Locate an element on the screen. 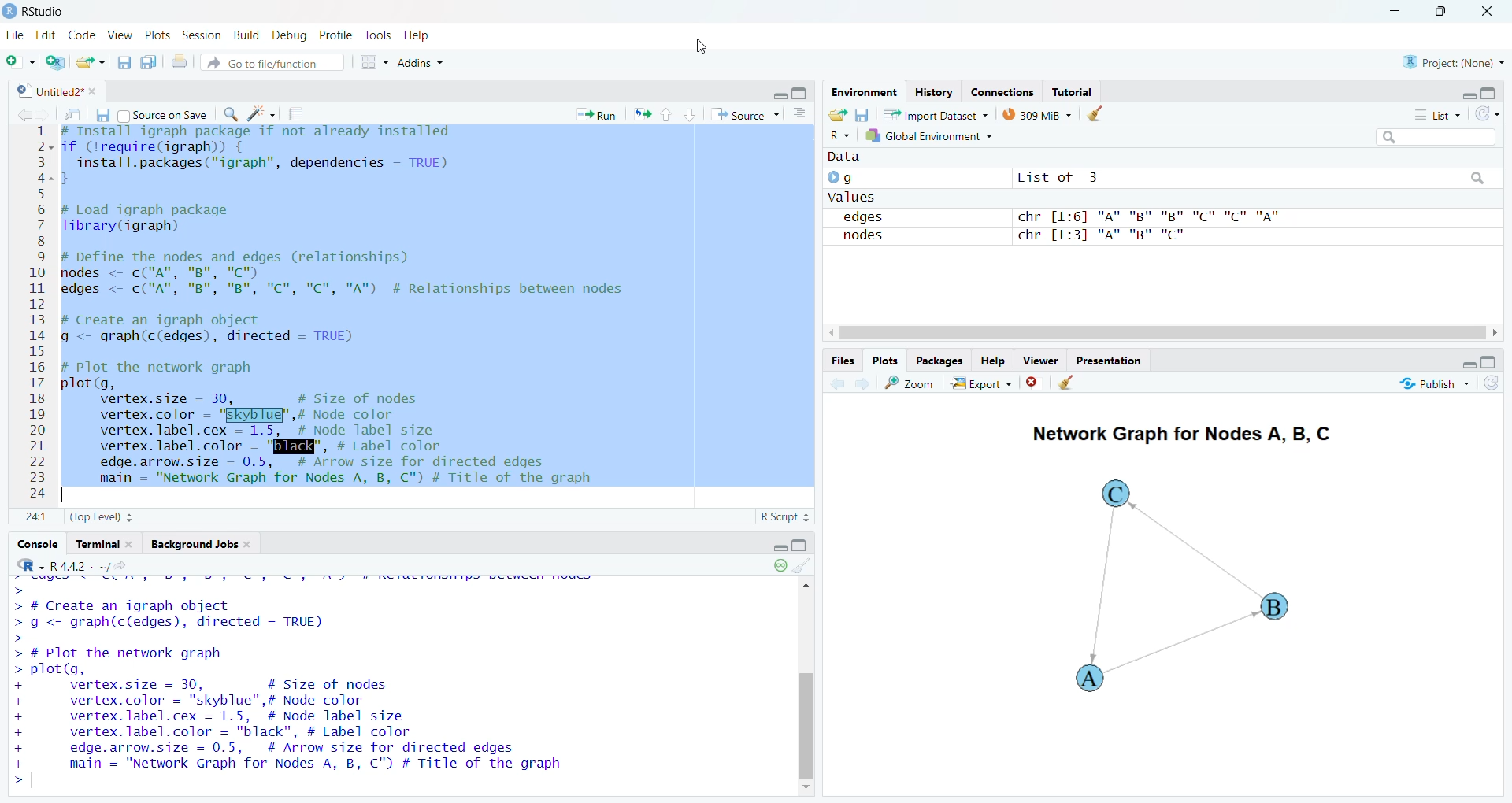 This screenshot has width=1512, height=803. minimise is located at coordinates (779, 94).